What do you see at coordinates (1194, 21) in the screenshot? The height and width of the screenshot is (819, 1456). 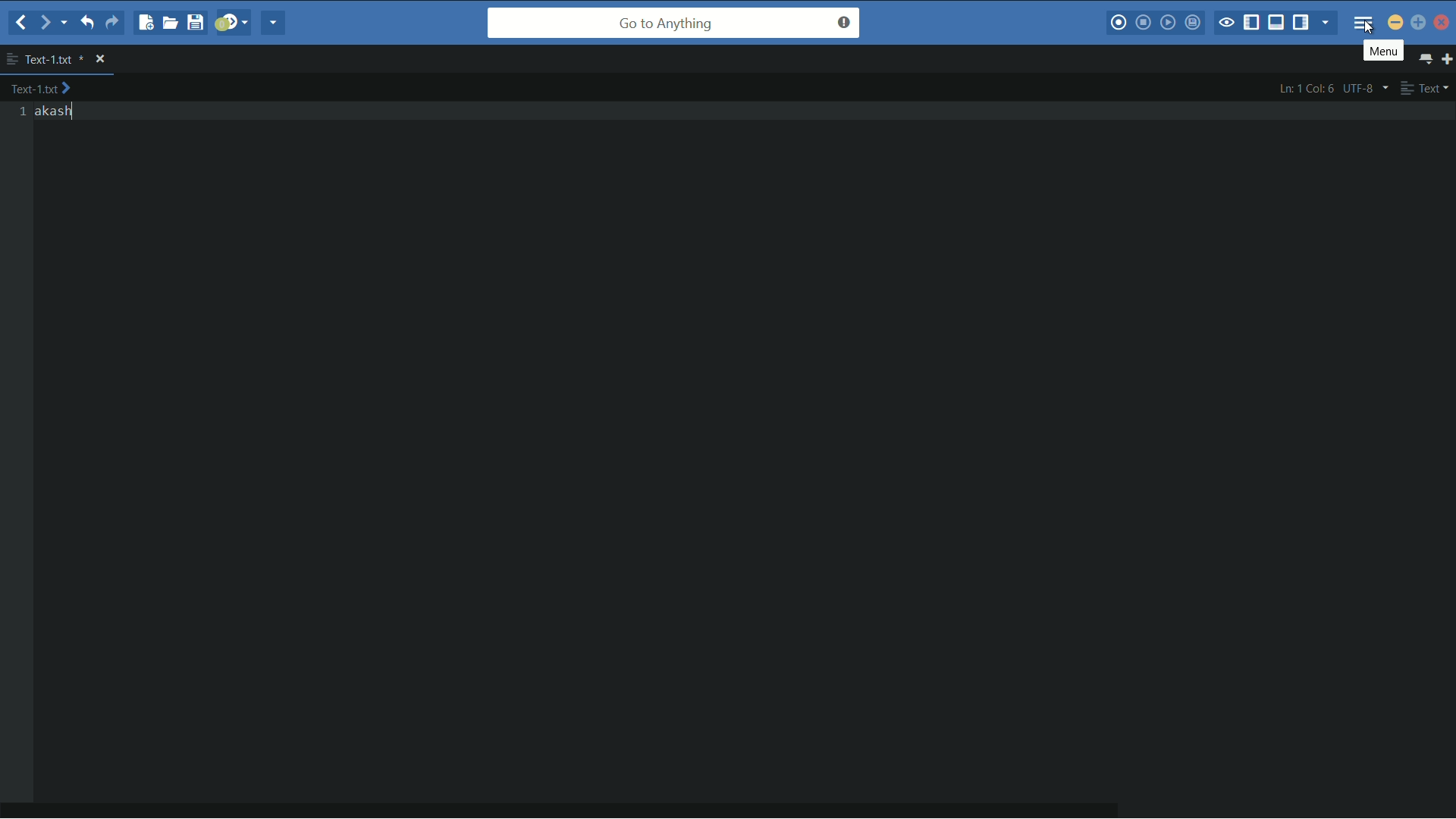 I see `save macro to toolbox` at bounding box center [1194, 21].